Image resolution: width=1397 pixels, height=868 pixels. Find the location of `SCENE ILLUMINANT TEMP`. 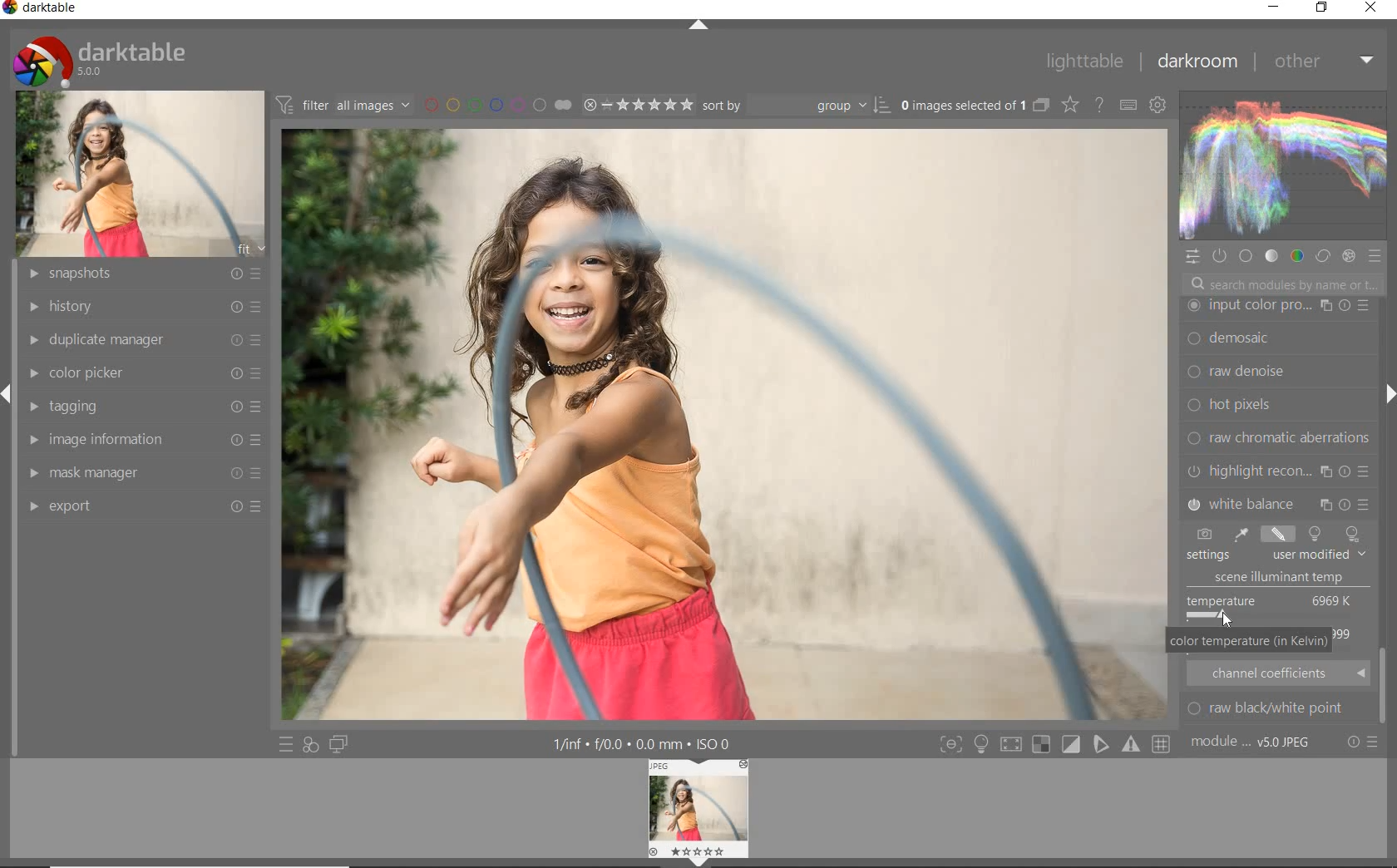

SCENE ILLUMINANT TEMP is located at coordinates (1286, 578).